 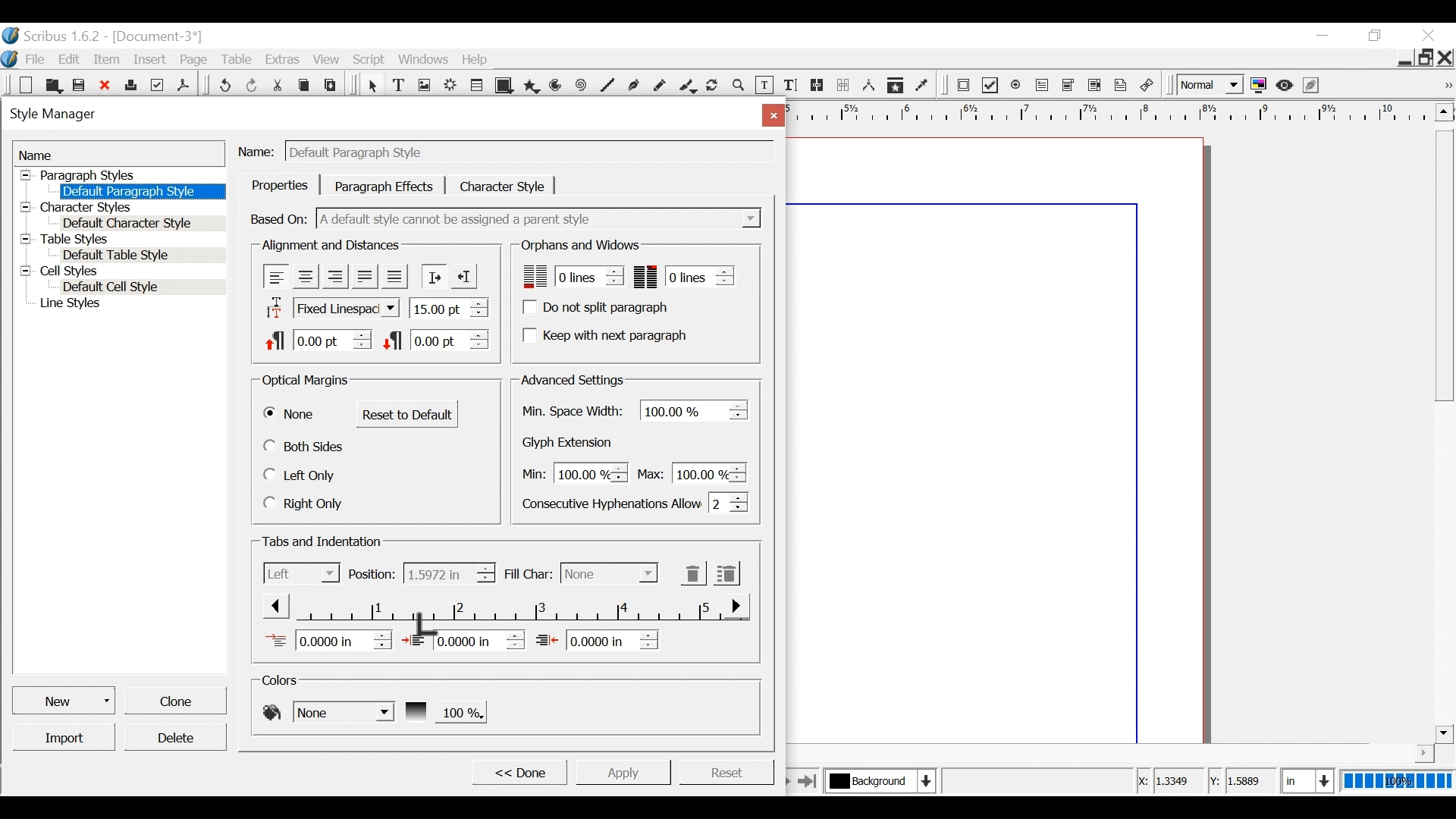 I want to click on Delete all tabular, so click(x=726, y=573).